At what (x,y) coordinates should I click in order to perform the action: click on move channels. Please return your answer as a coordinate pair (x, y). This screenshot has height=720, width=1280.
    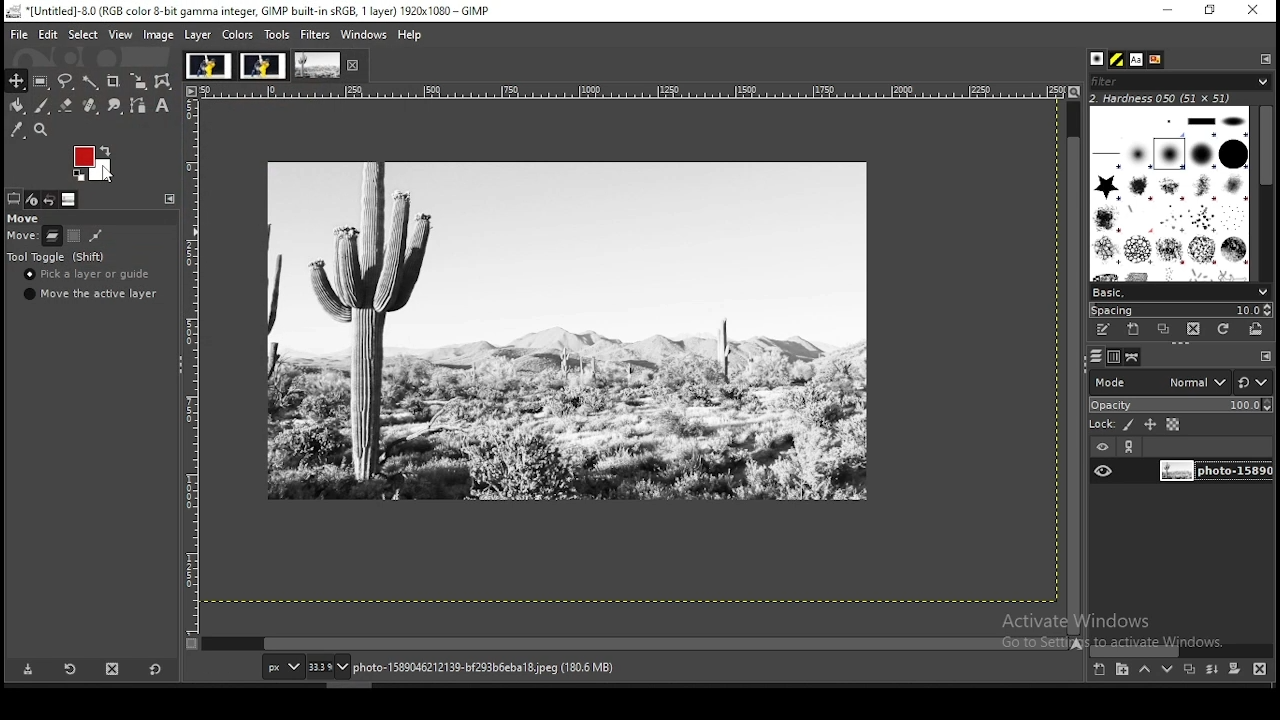
    Looking at the image, I should click on (74, 235).